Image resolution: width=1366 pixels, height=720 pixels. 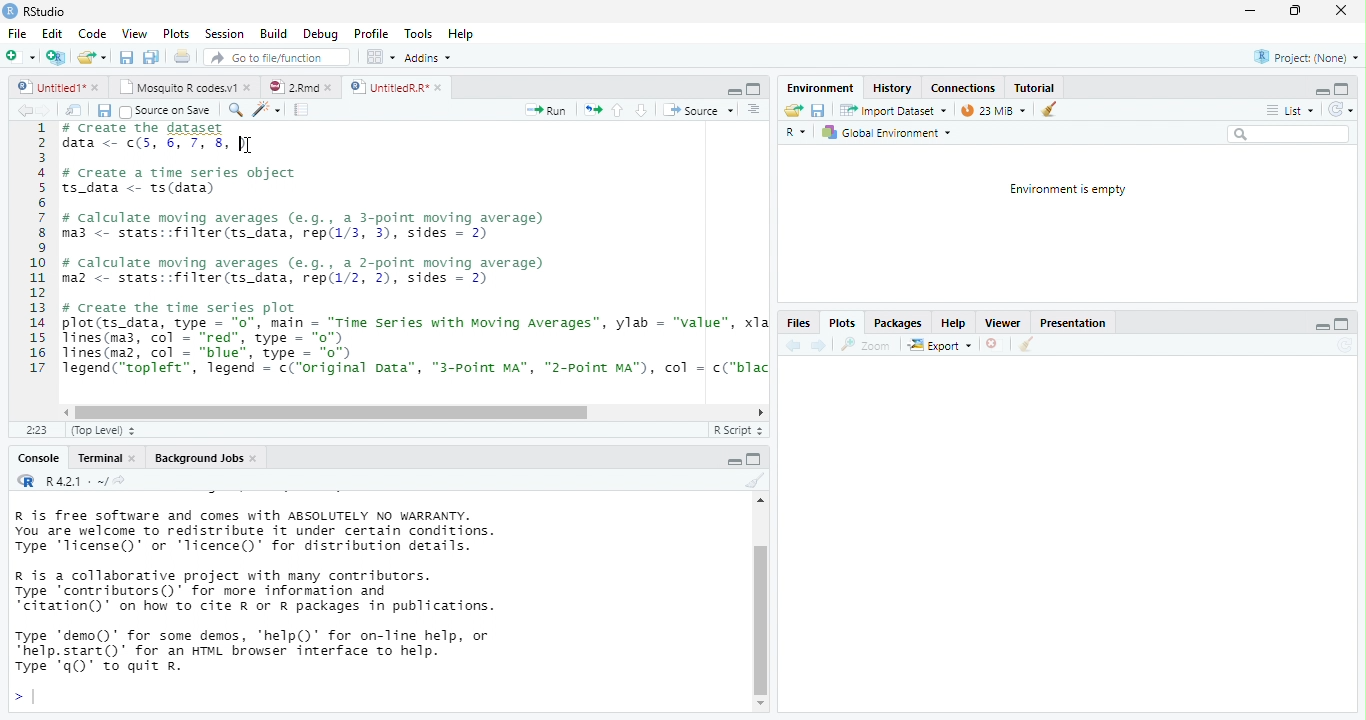 What do you see at coordinates (1025, 346) in the screenshot?
I see `clear` at bounding box center [1025, 346].